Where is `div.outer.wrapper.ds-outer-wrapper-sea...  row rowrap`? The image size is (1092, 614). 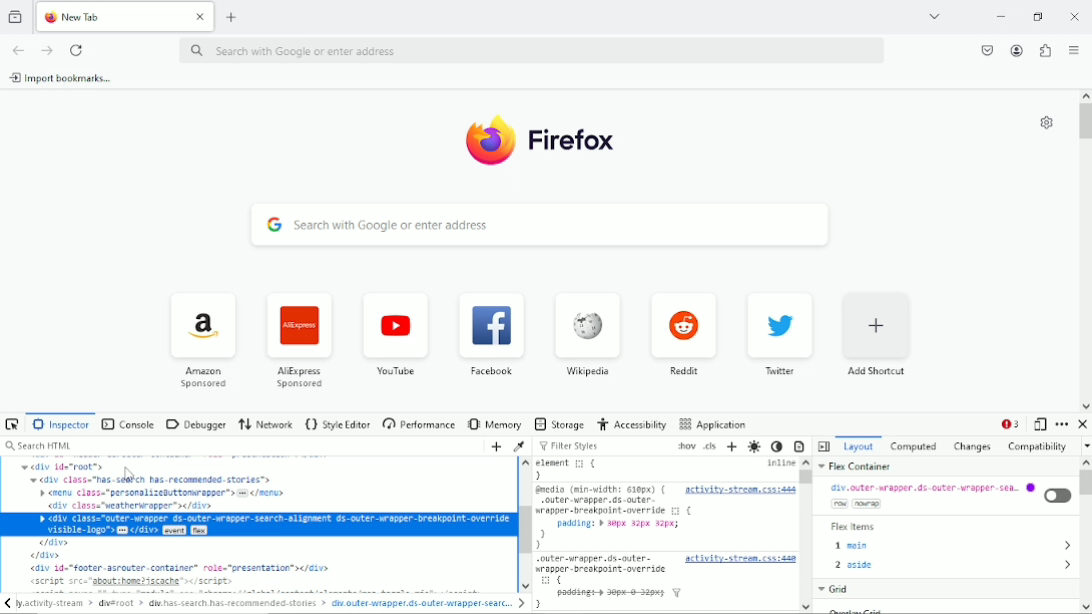 div.outer.wrapper.ds-outer-wrapper-sea...  row rowrap is located at coordinates (948, 498).